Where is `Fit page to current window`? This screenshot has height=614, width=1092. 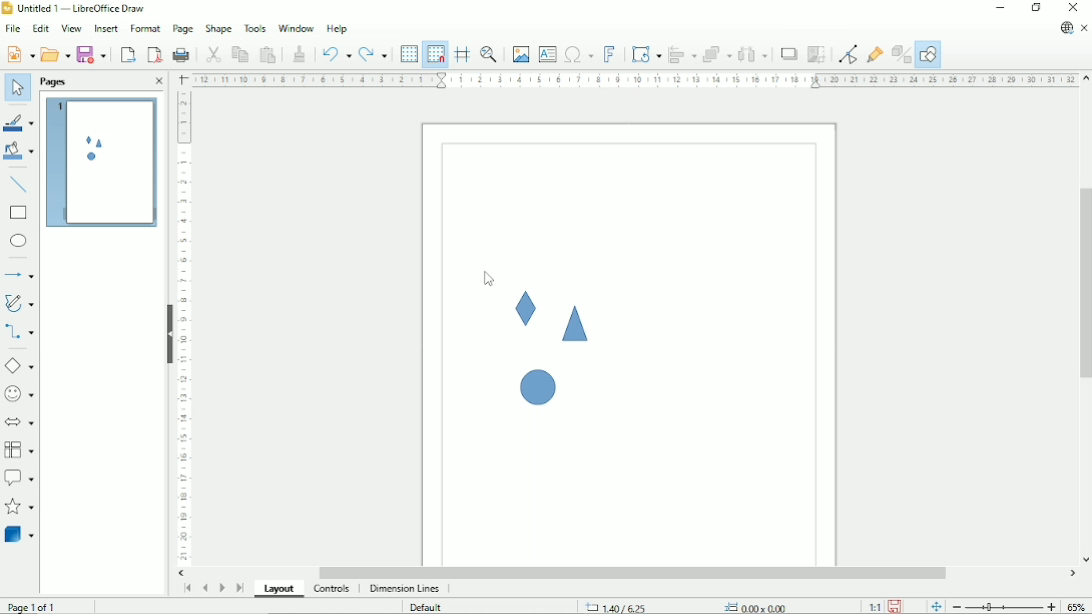
Fit page to current window is located at coordinates (934, 606).